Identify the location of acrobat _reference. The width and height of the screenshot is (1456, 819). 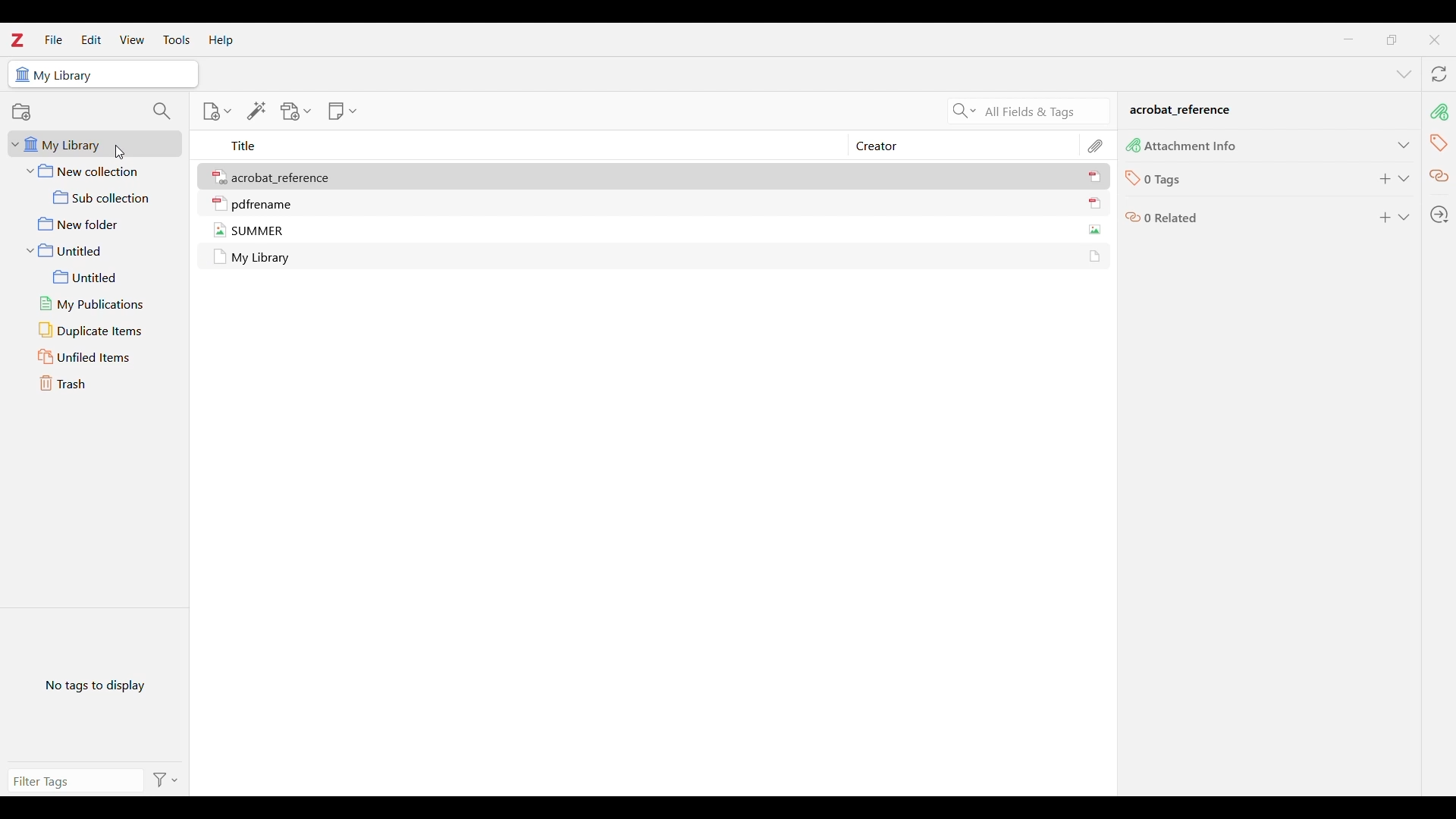
(1181, 111).